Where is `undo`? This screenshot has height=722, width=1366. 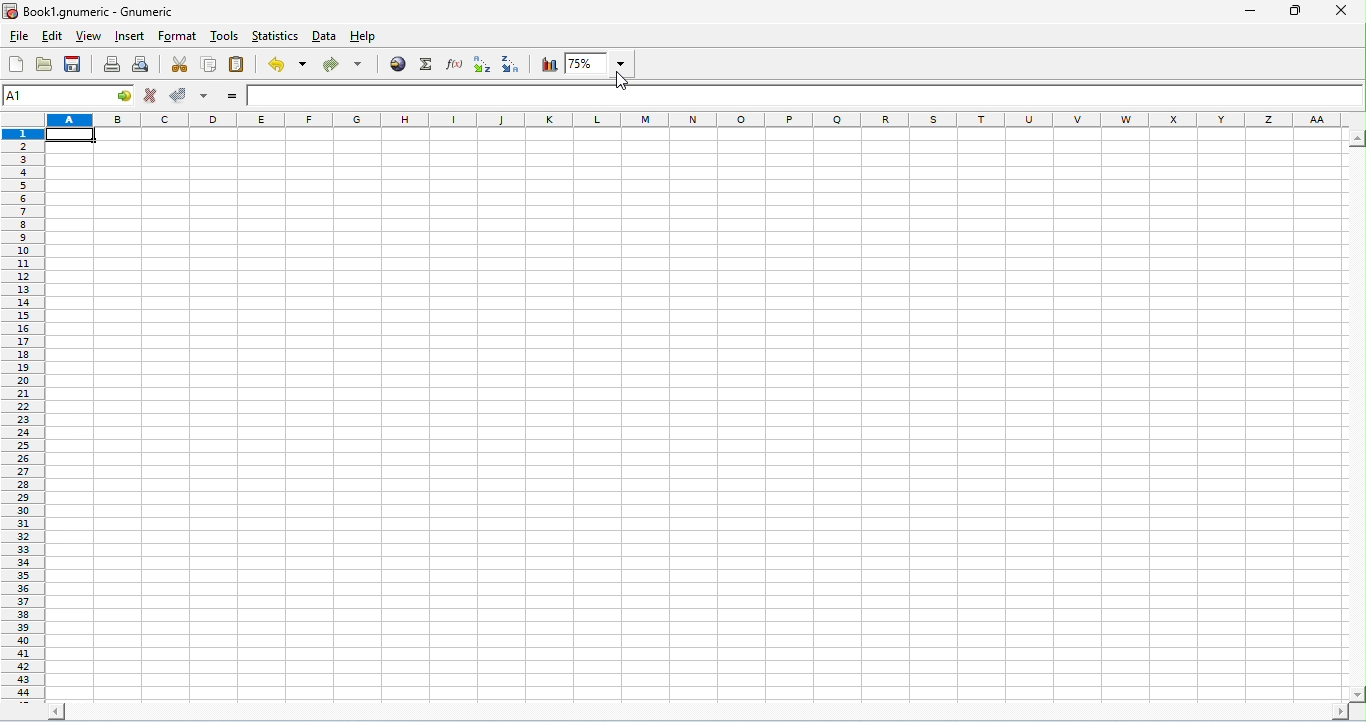
undo is located at coordinates (287, 64).